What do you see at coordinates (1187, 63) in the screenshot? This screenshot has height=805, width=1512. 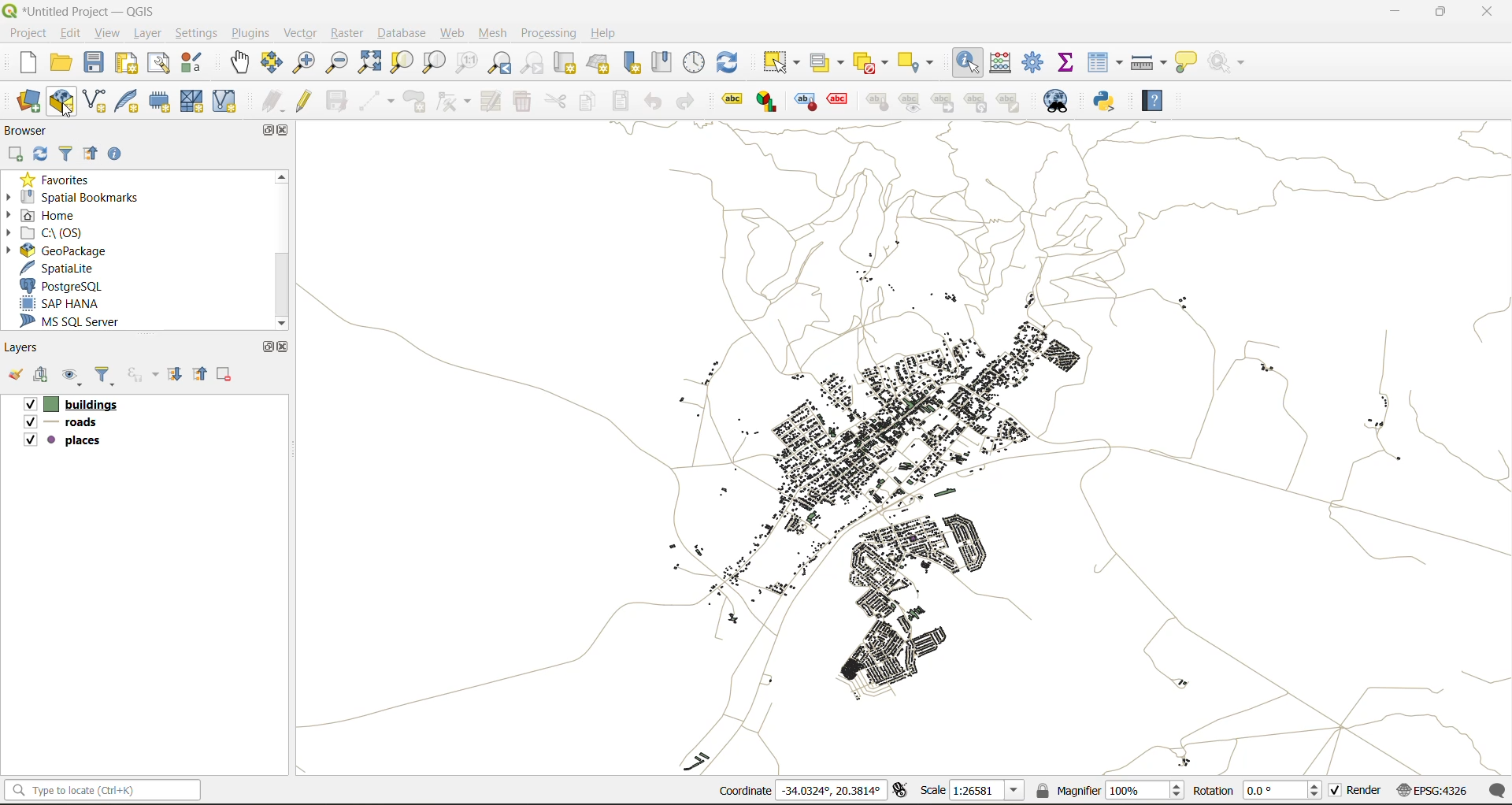 I see `show tips` at bounding box center [1187, 63].